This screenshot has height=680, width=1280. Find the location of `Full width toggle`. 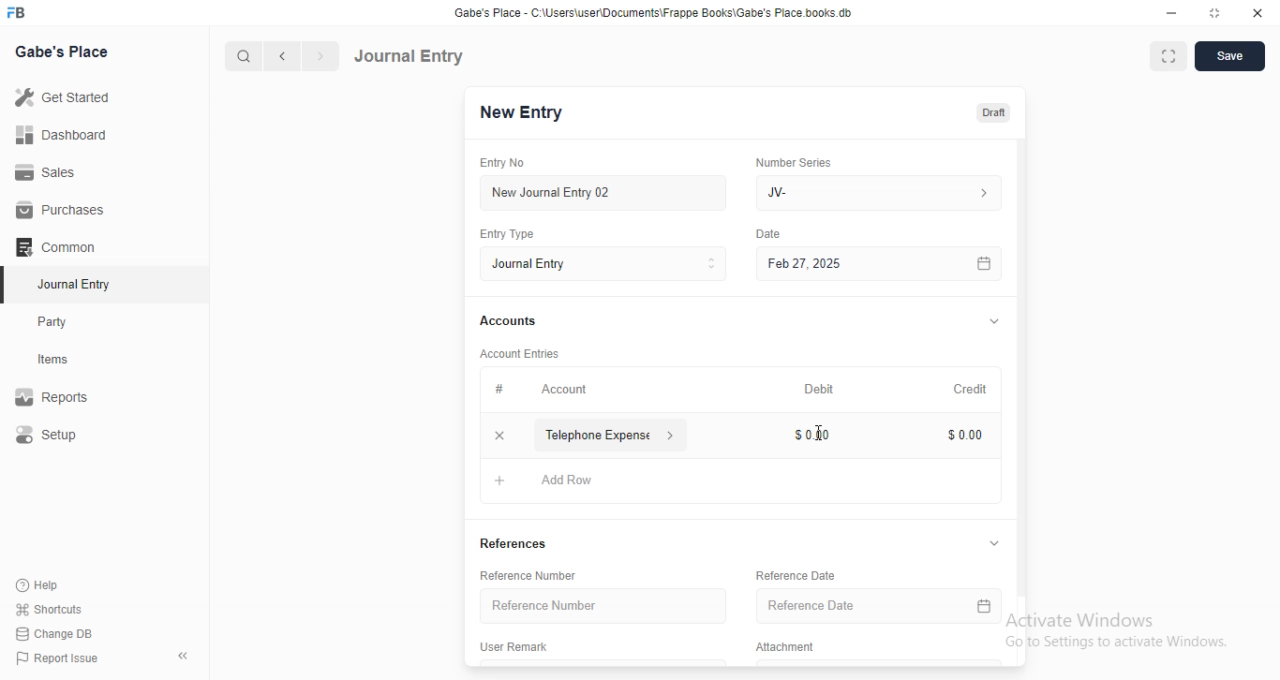

Full width toggle is located at coordinates (1171, 56).